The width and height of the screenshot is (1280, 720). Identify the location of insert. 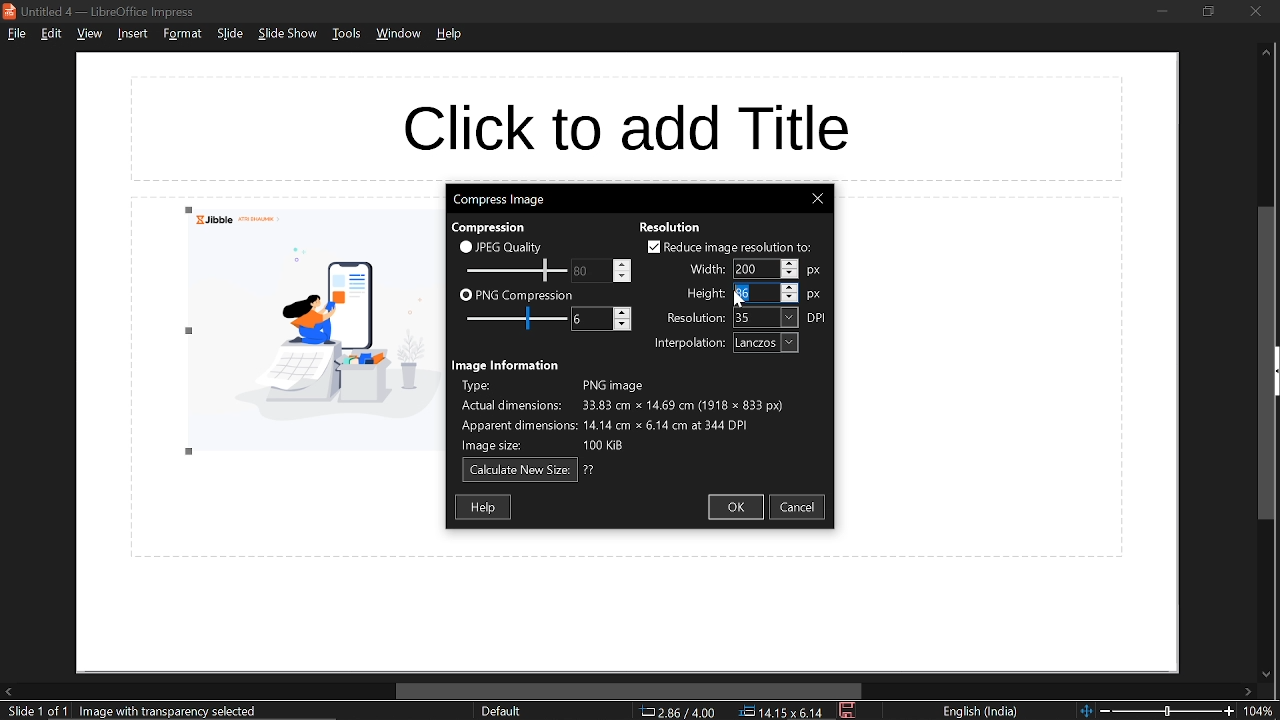
(130, 33).